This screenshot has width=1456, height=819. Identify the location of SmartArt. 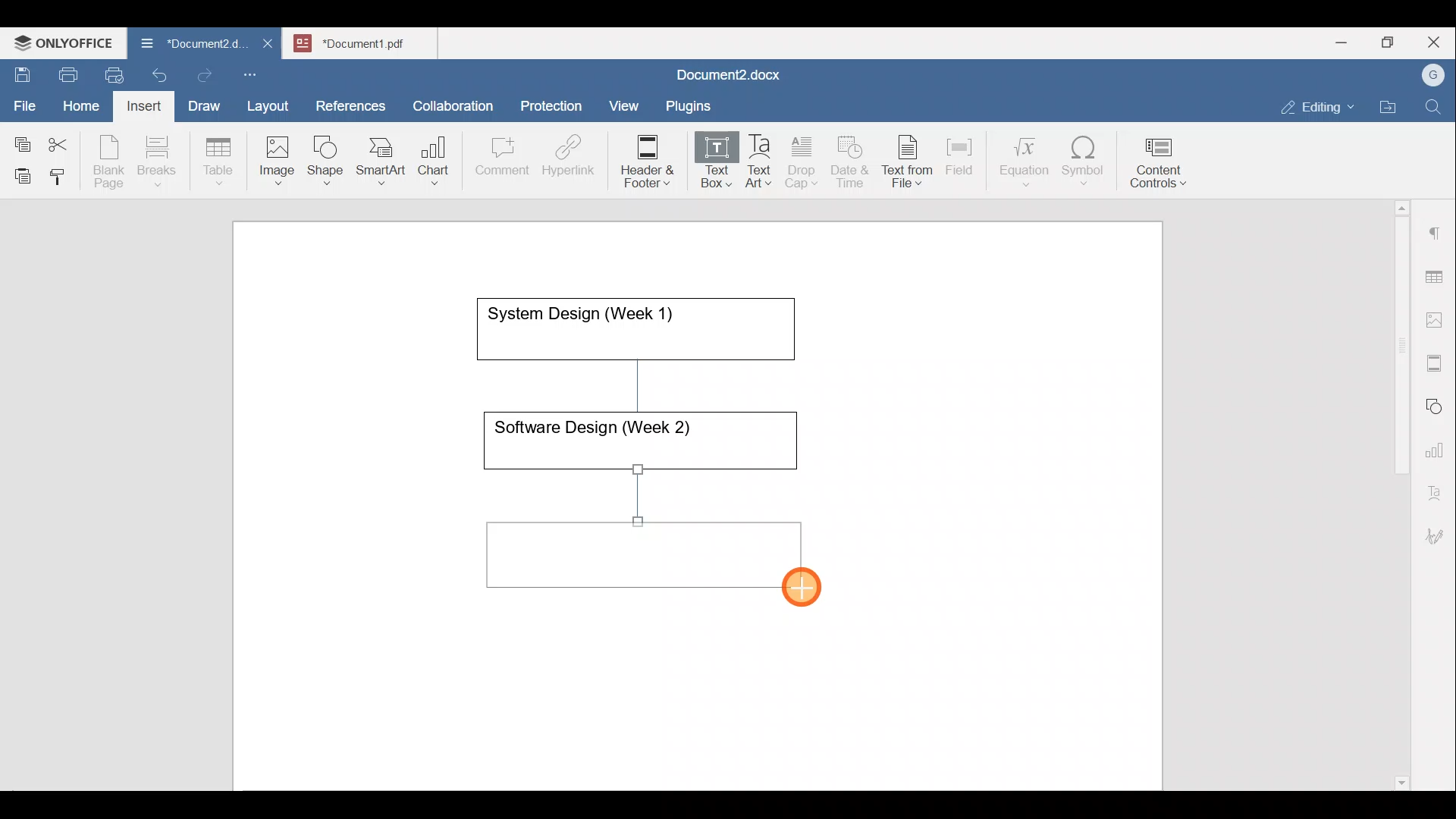
(378, 158).